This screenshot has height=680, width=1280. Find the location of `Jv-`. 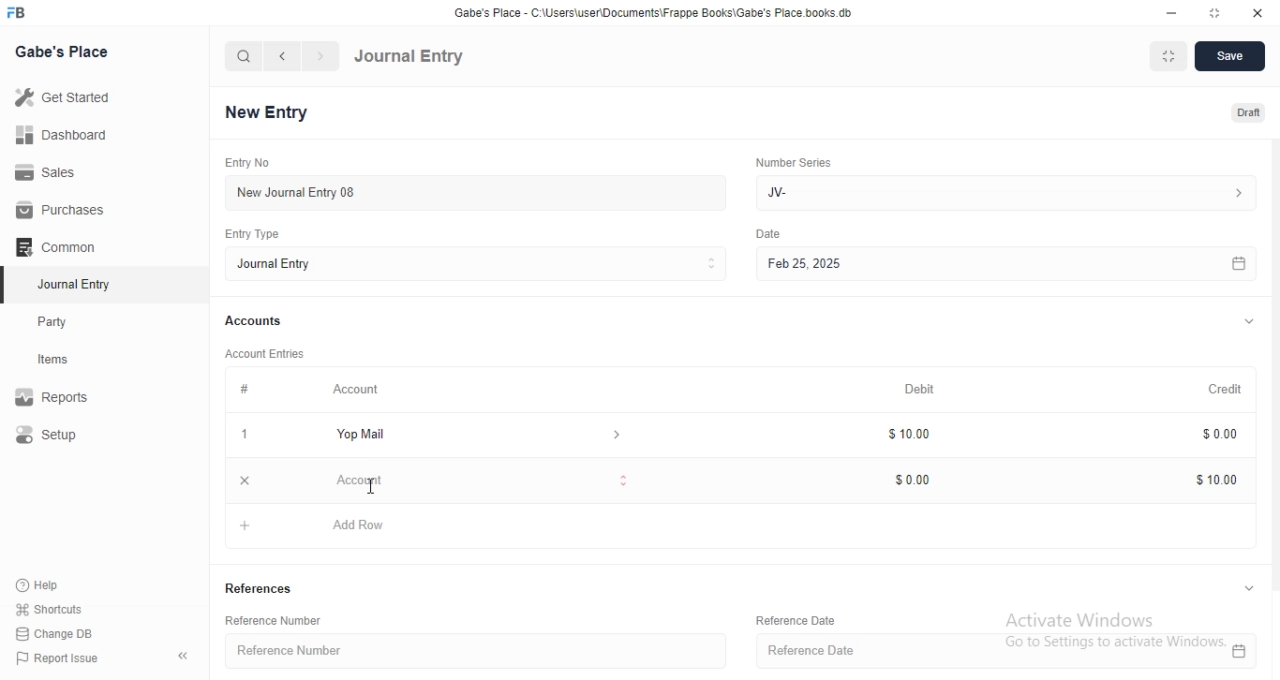

Jv- is located at coordinates (1010, 191).